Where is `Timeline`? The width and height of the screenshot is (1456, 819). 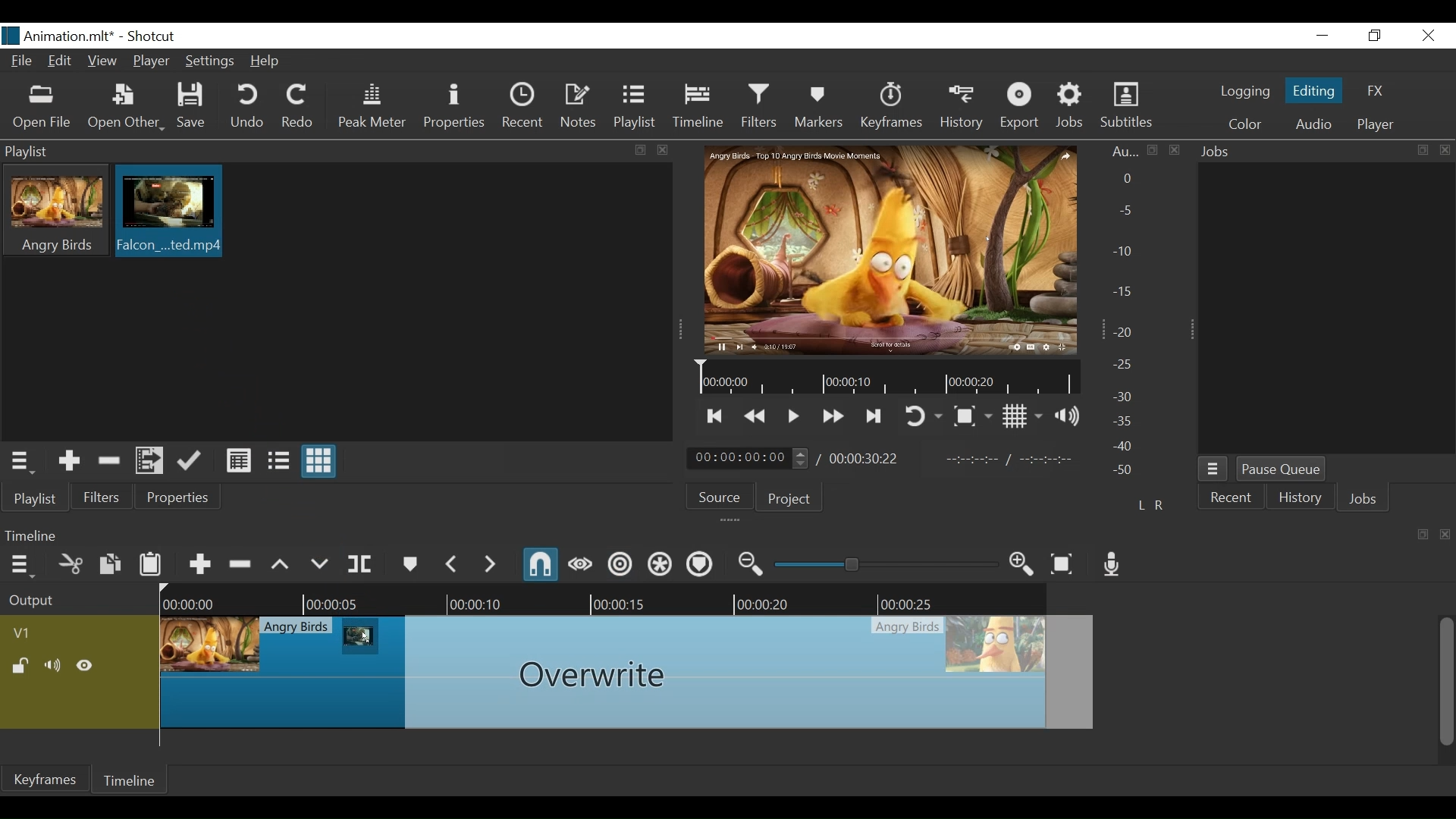 Timeline is located at coordinates (885, 378).